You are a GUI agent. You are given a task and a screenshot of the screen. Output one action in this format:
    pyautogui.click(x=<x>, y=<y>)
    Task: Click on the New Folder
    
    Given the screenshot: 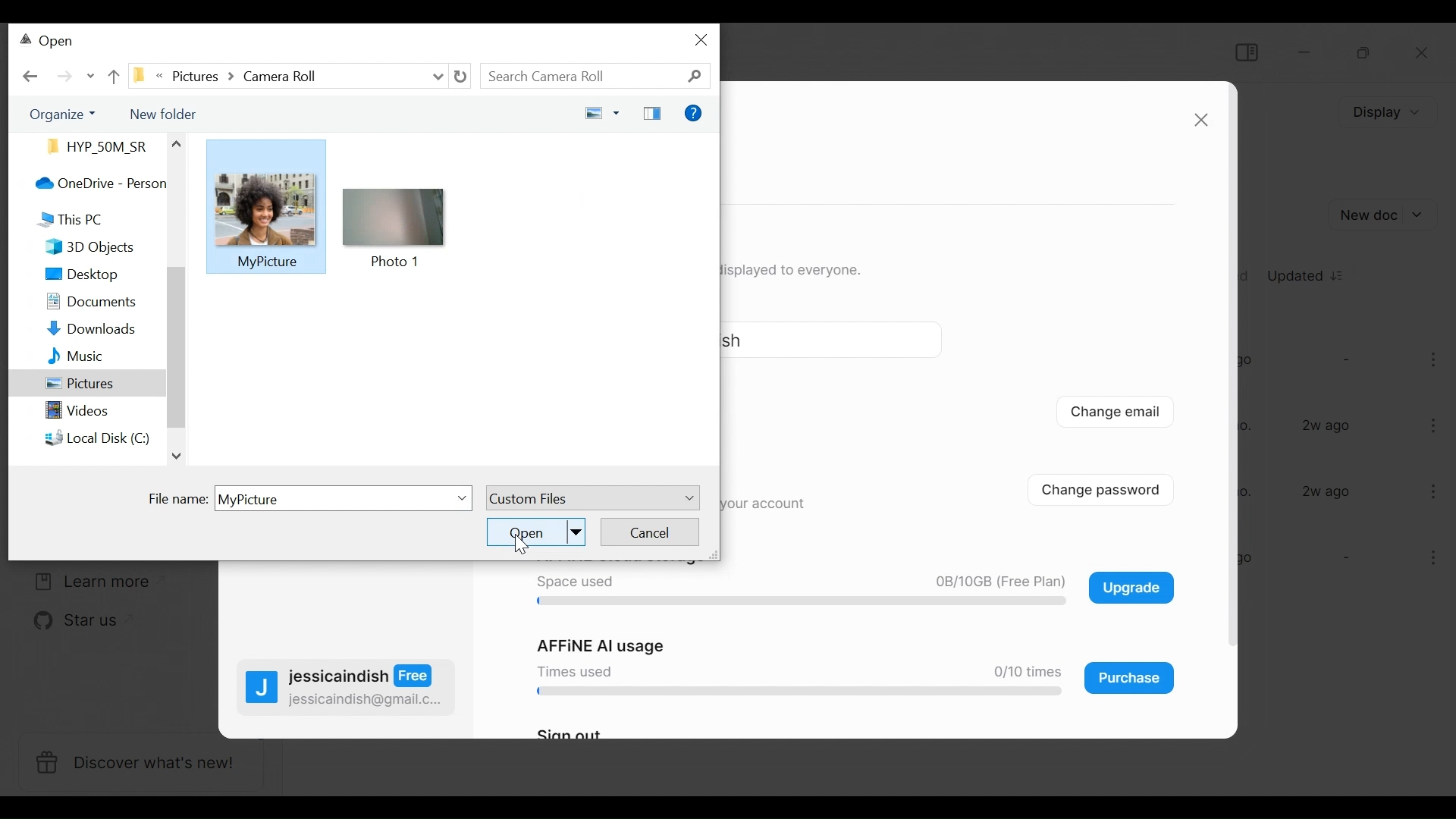 What is the action you would take?
    pyautogui.click(x=161, y=112)
    